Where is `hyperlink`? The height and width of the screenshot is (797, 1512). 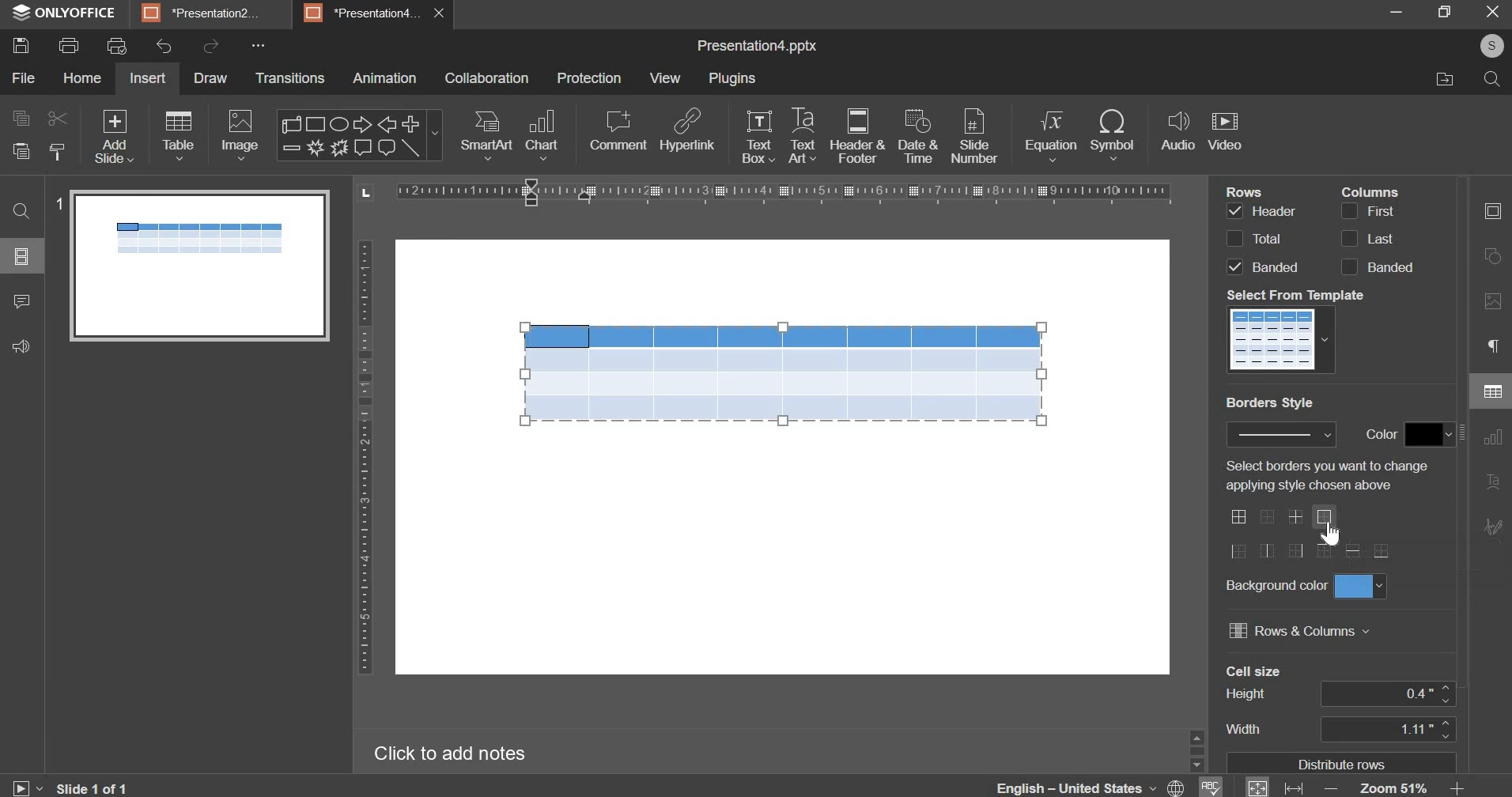 hyperlink is located at coordinates (687, 130).